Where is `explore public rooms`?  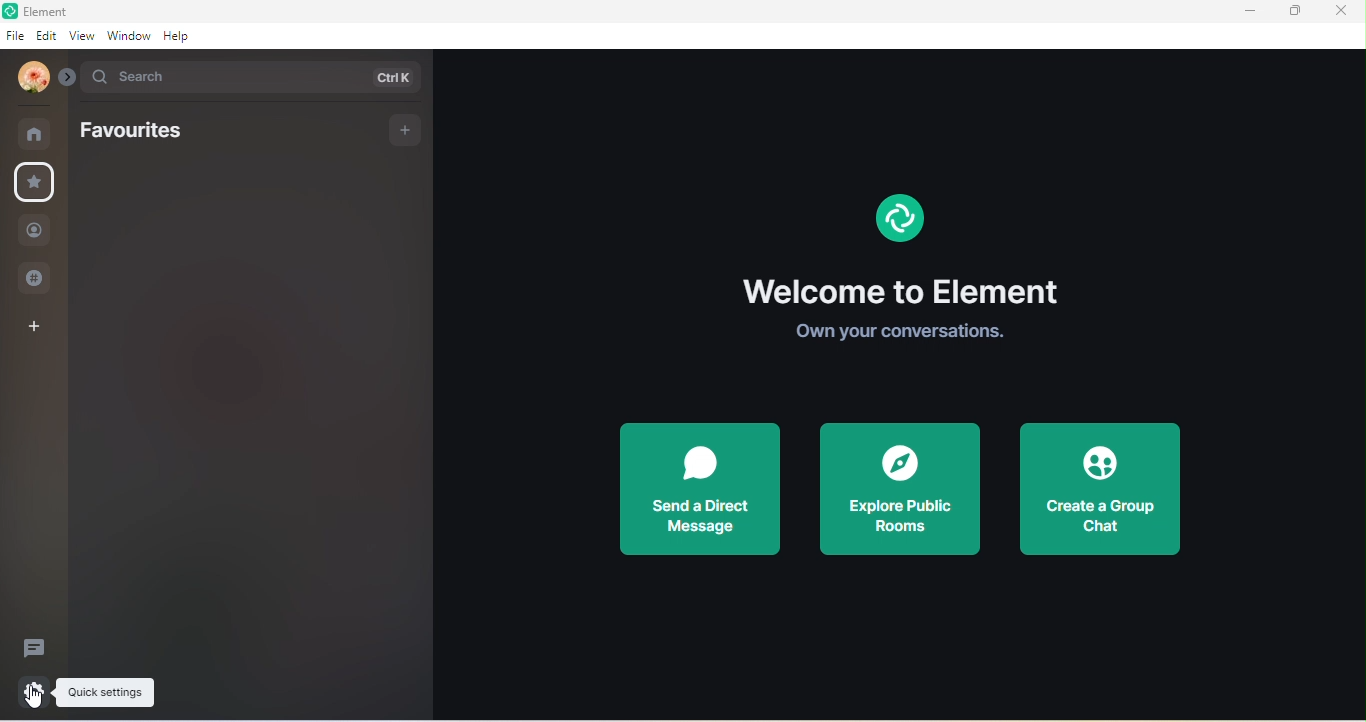 explore public rooms is located at coordinates (900, 494).